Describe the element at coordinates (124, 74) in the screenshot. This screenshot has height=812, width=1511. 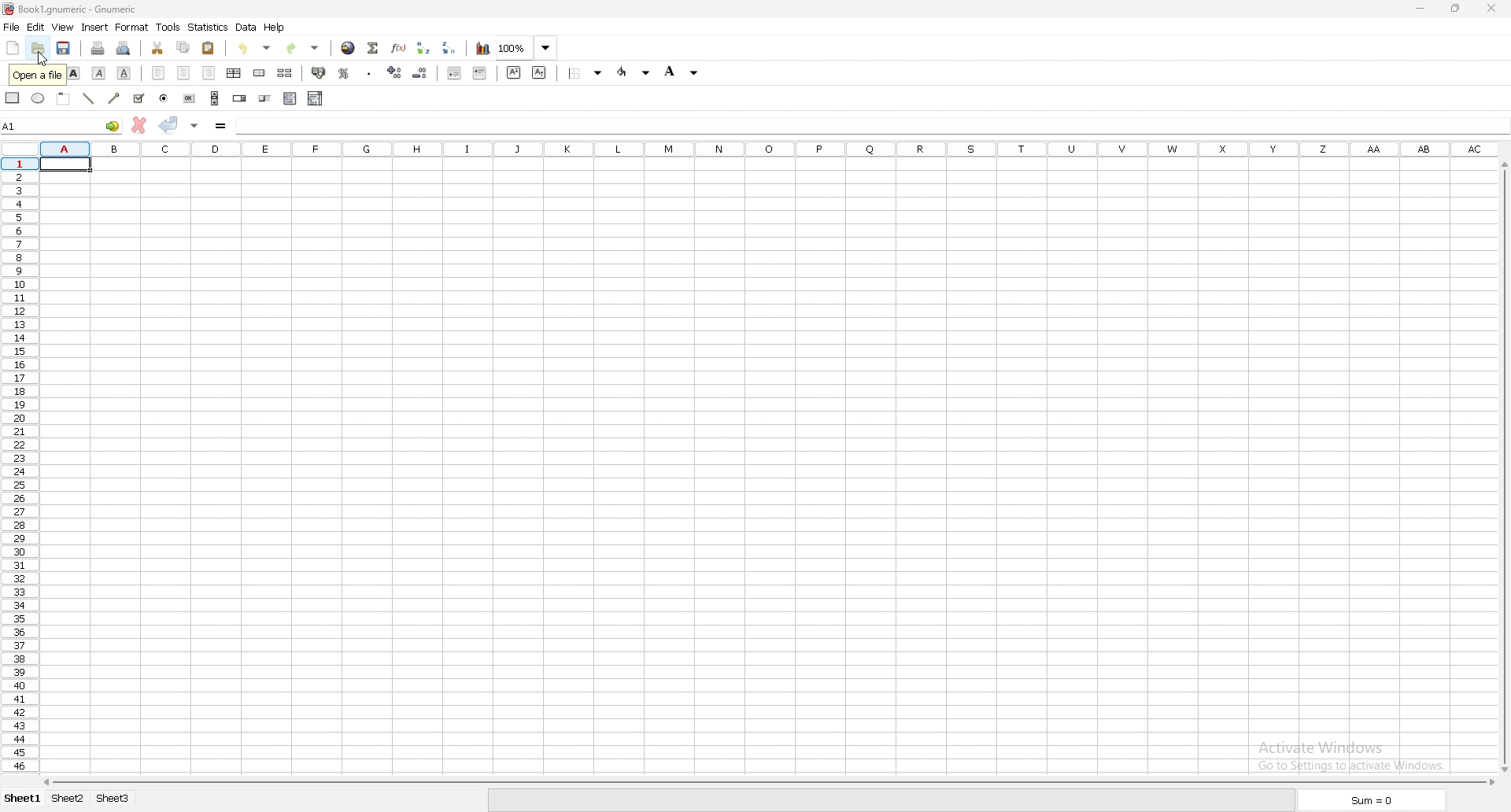
I see `underline` at that location.